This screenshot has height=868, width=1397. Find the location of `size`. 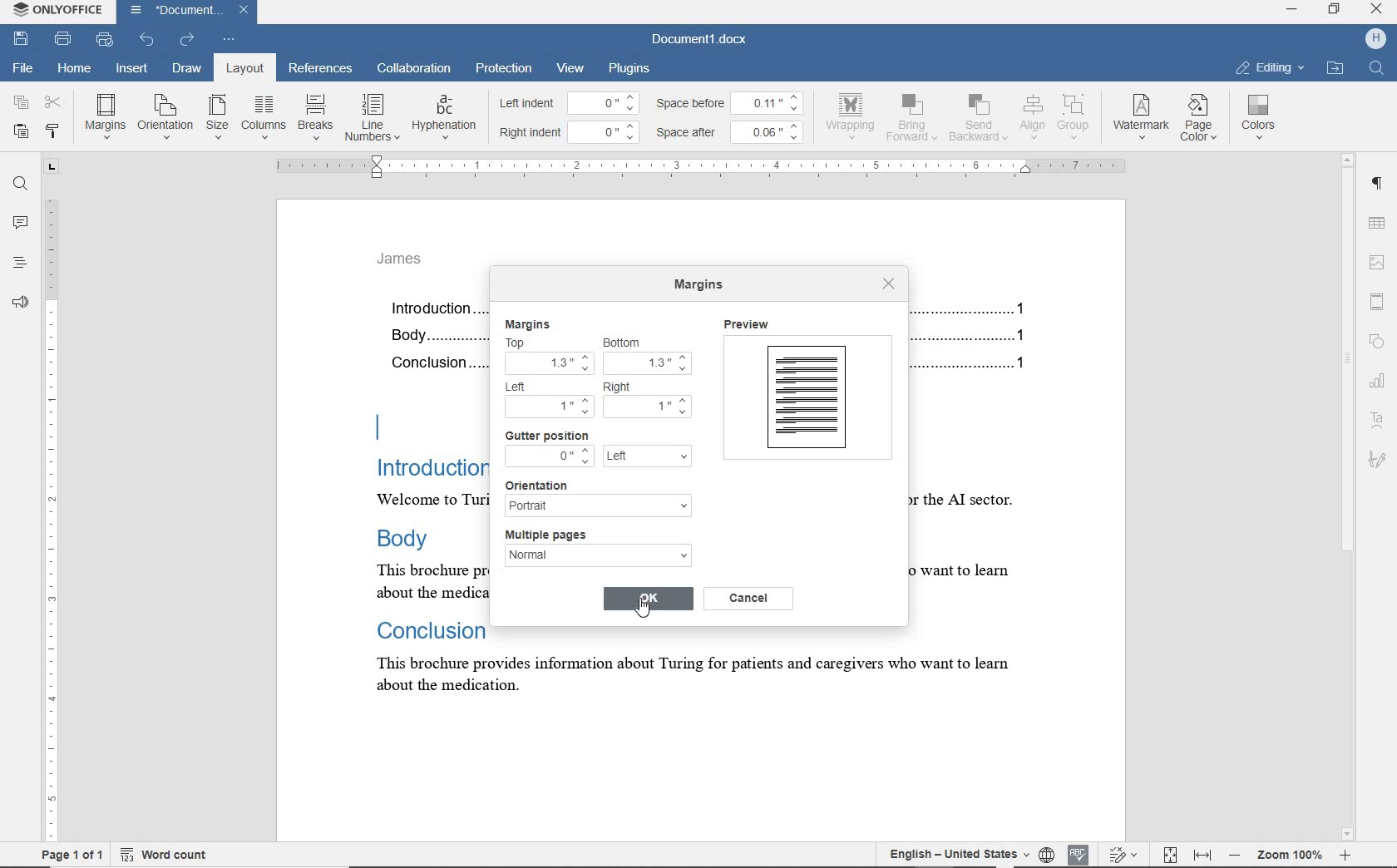

size is located at coordinates (217, 118).